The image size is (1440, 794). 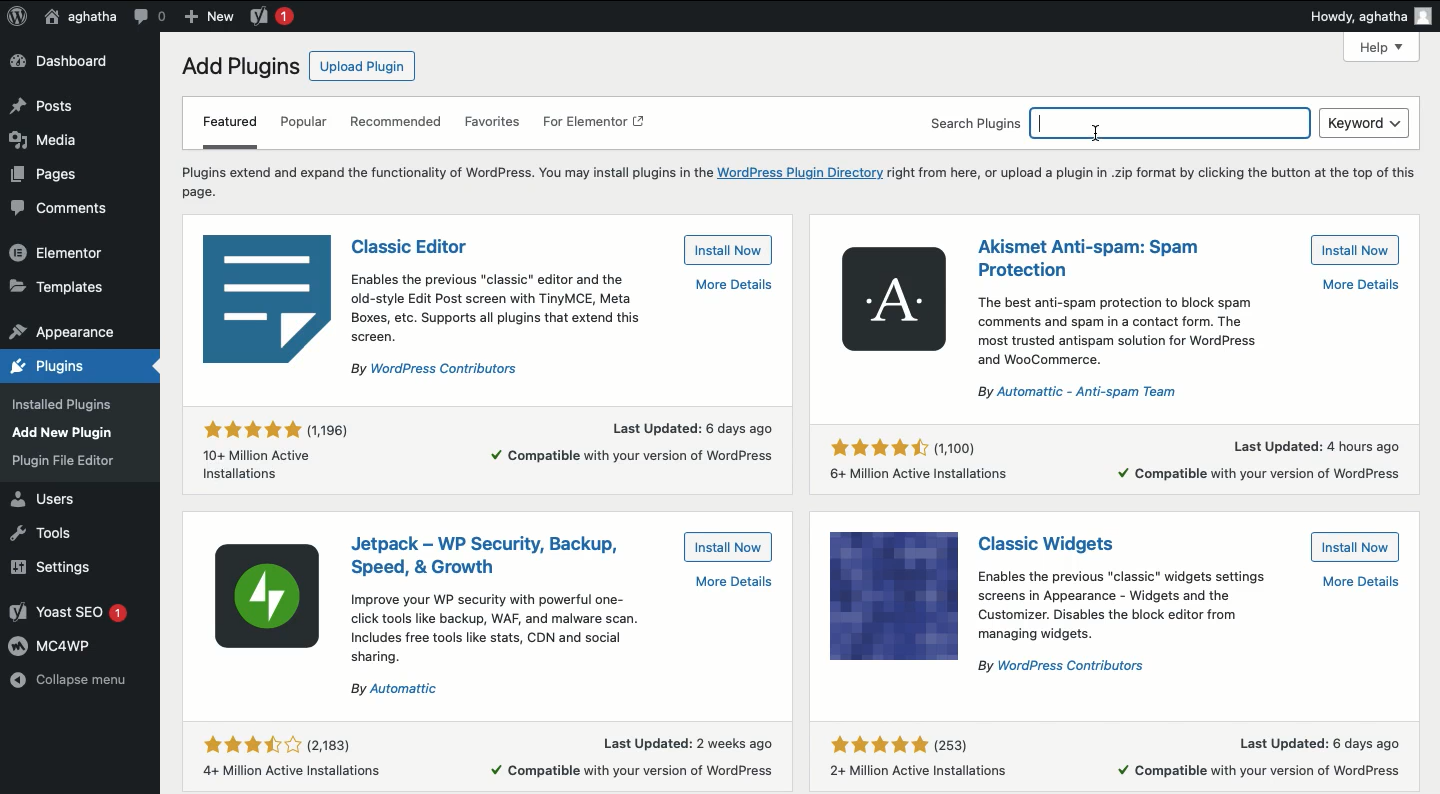 What do you see at coordinates (80, 18) in the screenshot?
I see `Usera` at bounding box center [80, 18].